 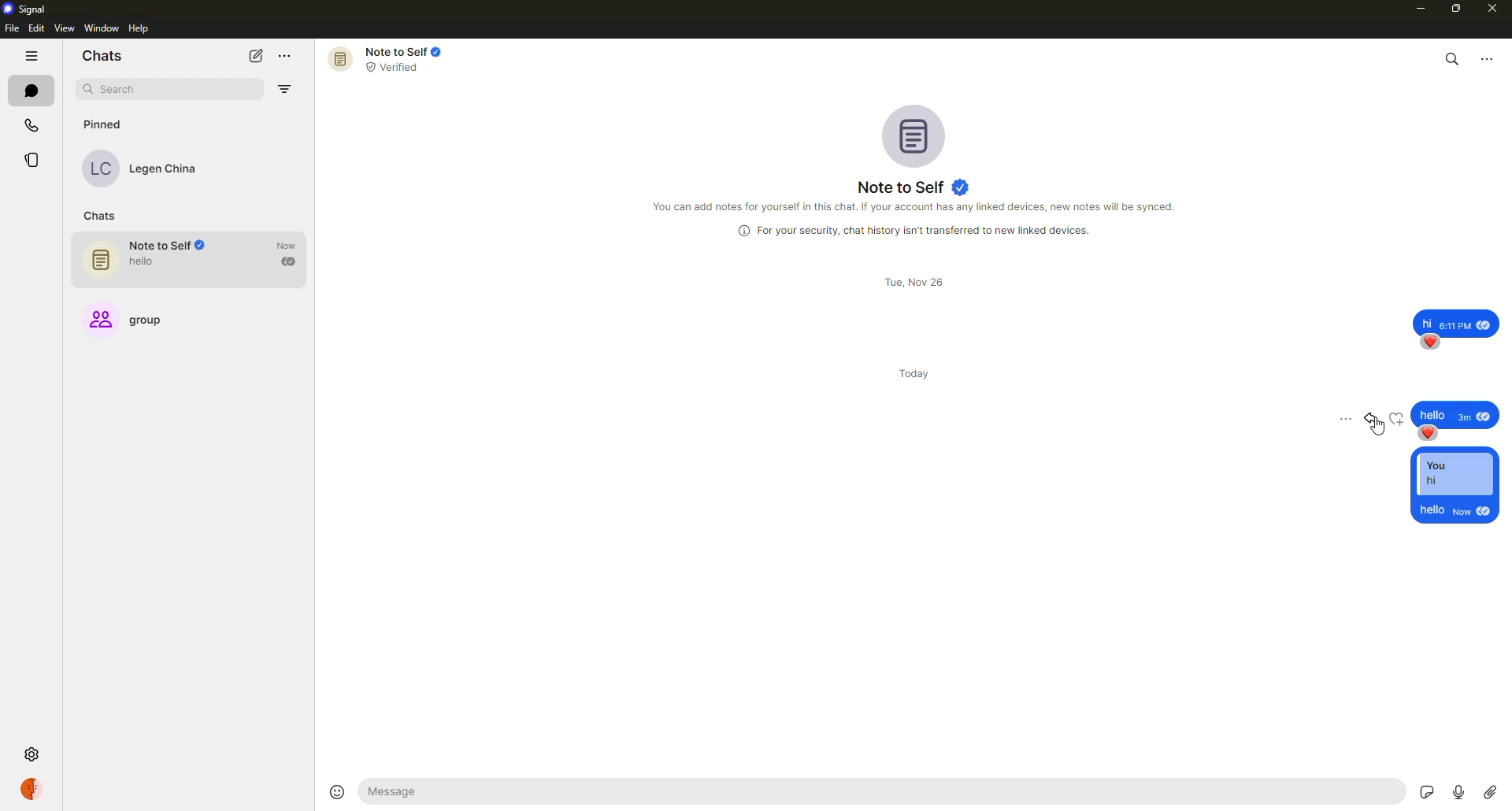 What do you see at coordinates (920, 372) in the screenshot?
I see `day` at bounding box center [920, 372].